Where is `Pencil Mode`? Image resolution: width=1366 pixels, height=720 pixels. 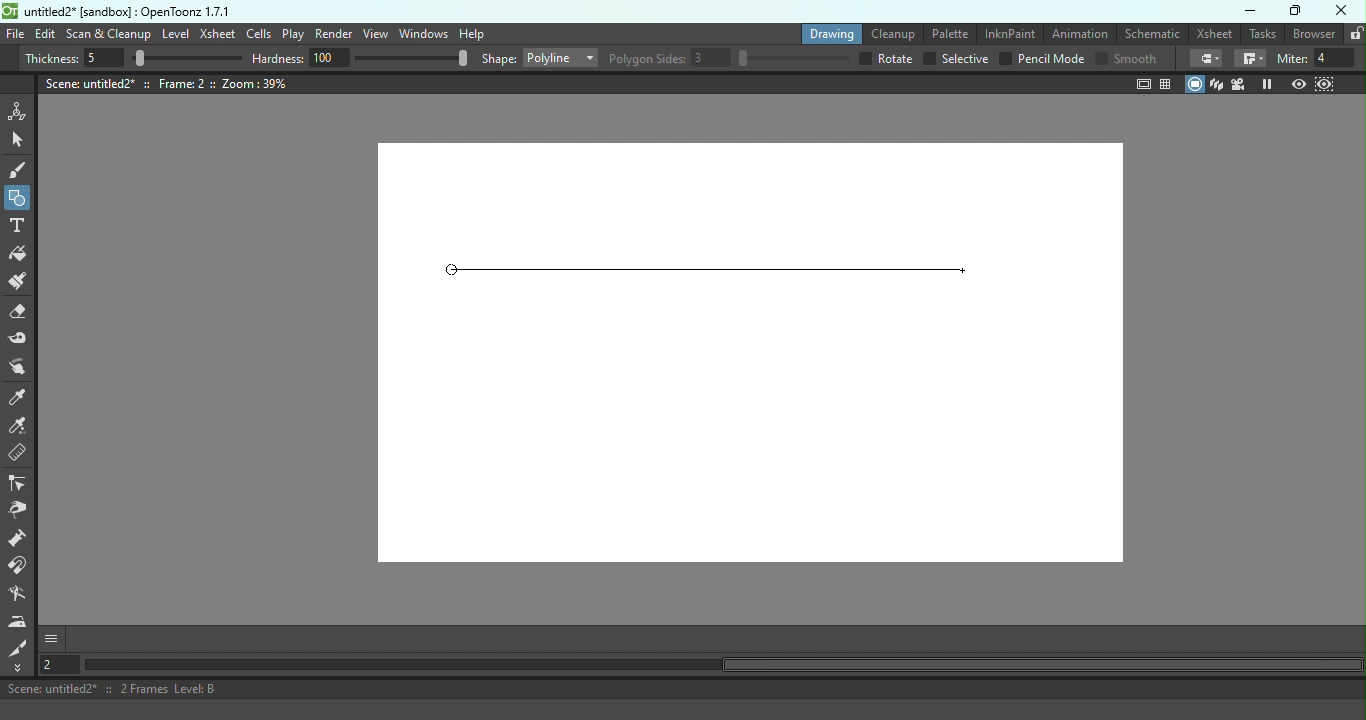 Pencil Mode is located at coordinates (1041, 60).